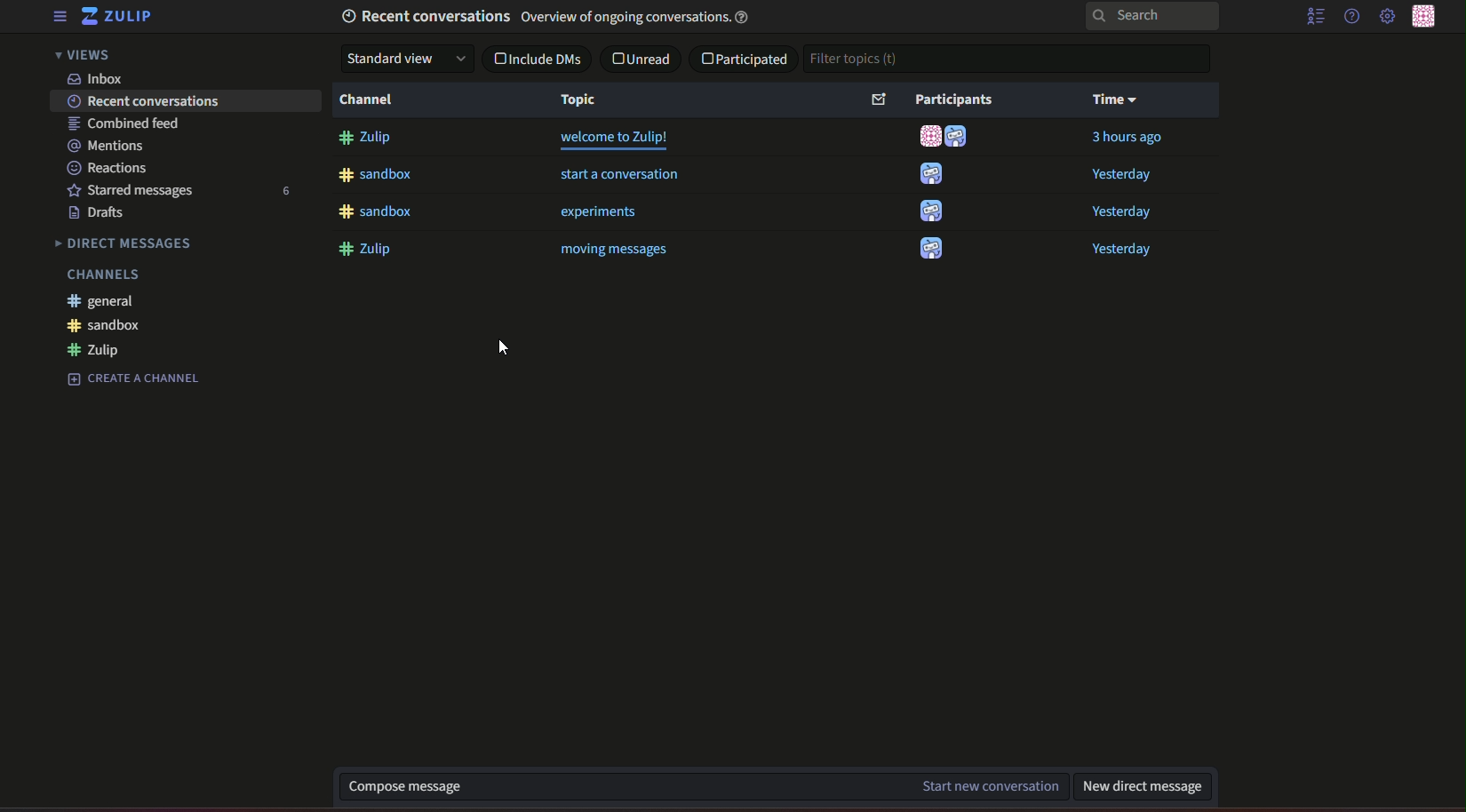 The height and width of the screenshot is (812, 1466). I want to click on starred messages, so click(135, 189).